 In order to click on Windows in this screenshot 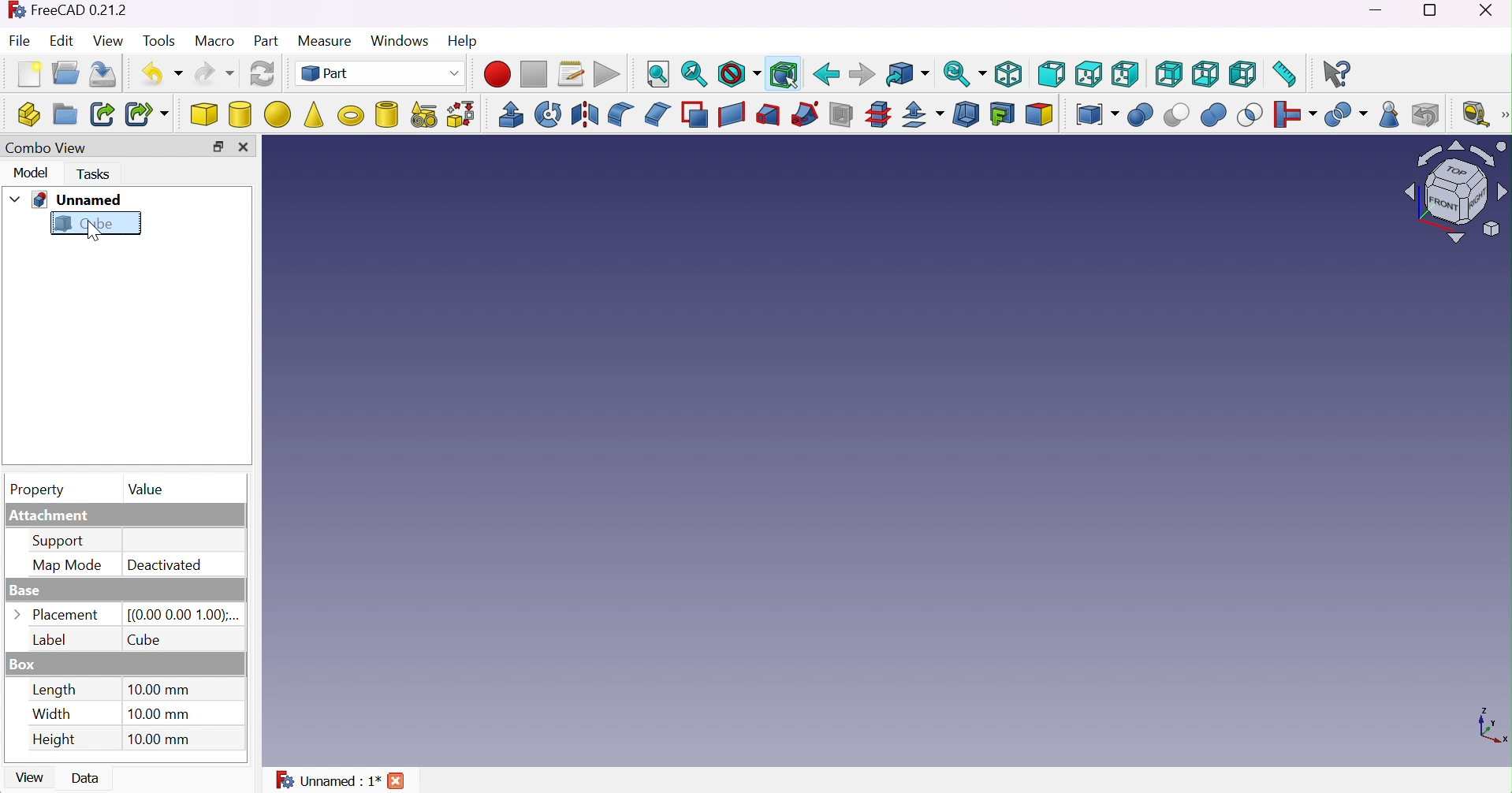, I will do `click(401, 41)`.